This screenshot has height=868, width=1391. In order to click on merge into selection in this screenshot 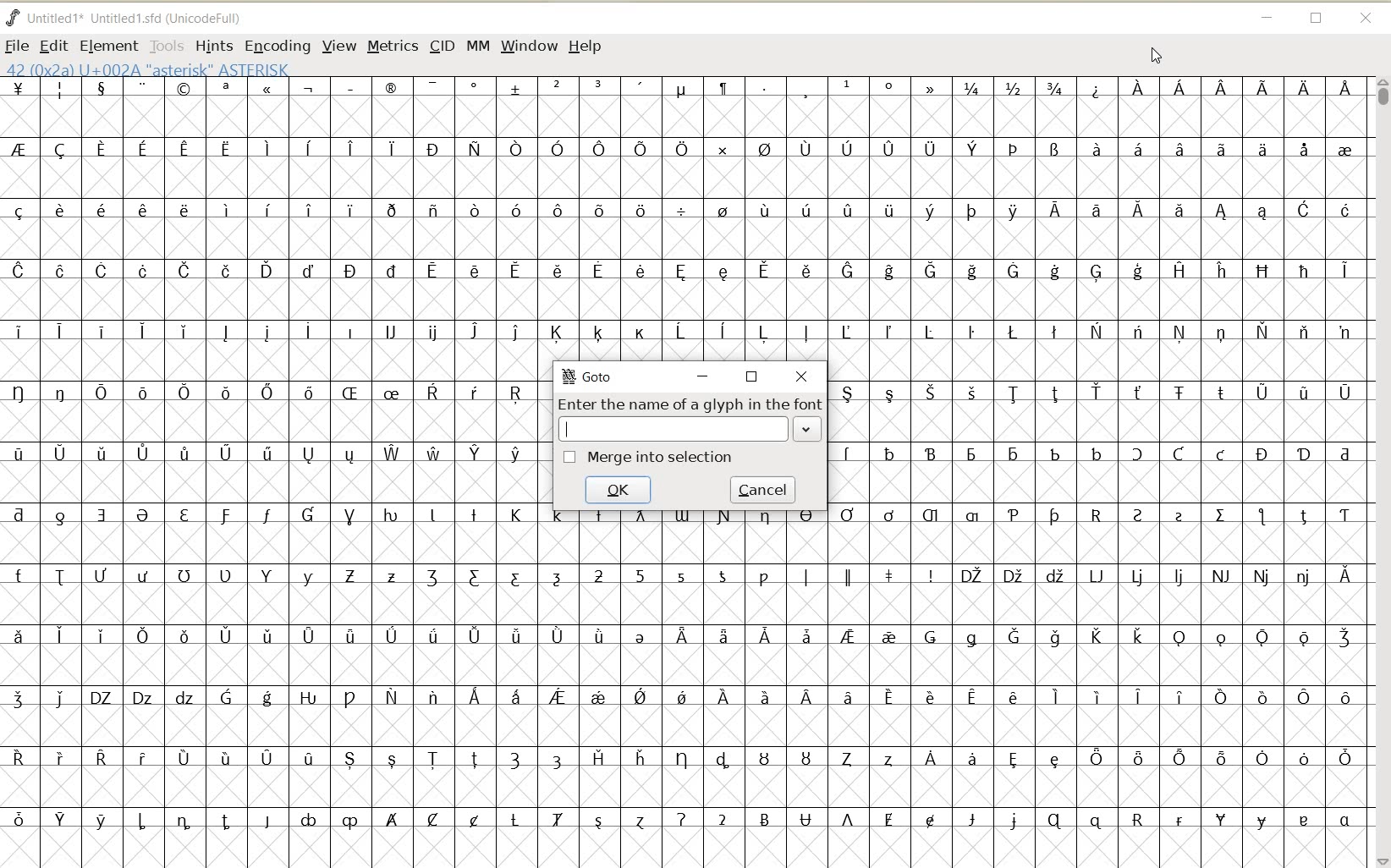, I will do `click(661, 458)`.